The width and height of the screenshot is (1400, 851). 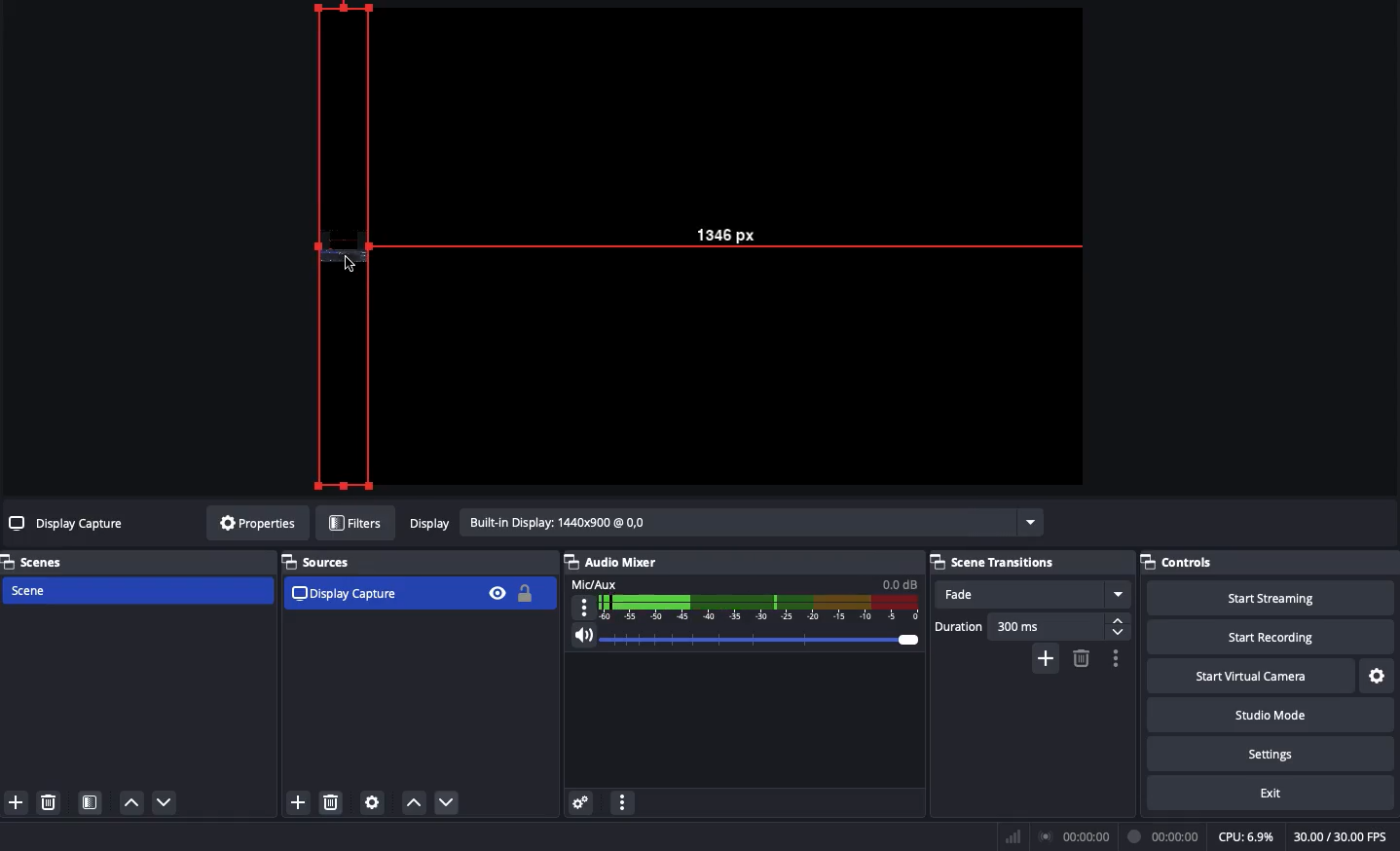 I want to click on More, so click(x=621, y=805).